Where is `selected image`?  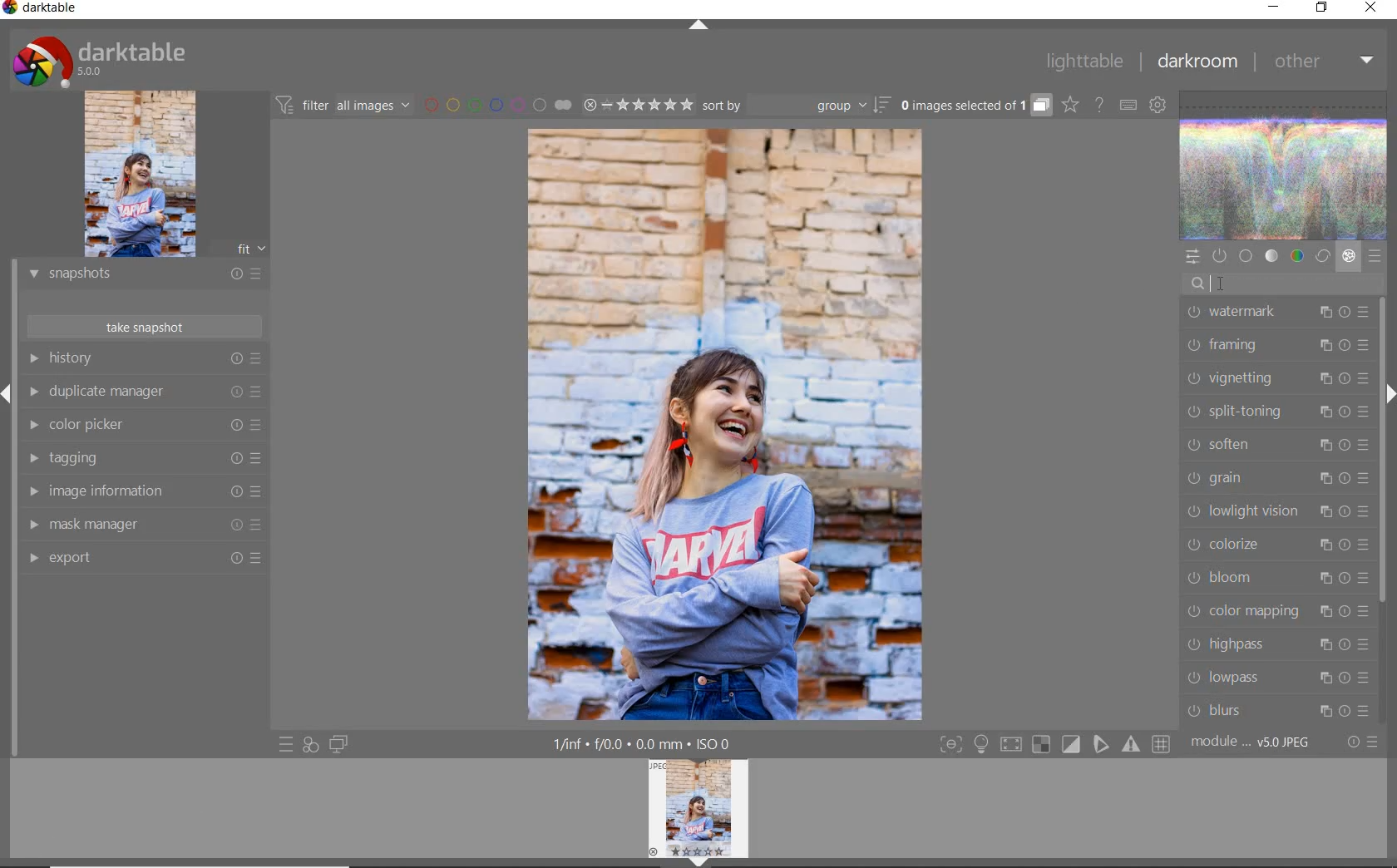
selected image is located at coordinates (726, 427).